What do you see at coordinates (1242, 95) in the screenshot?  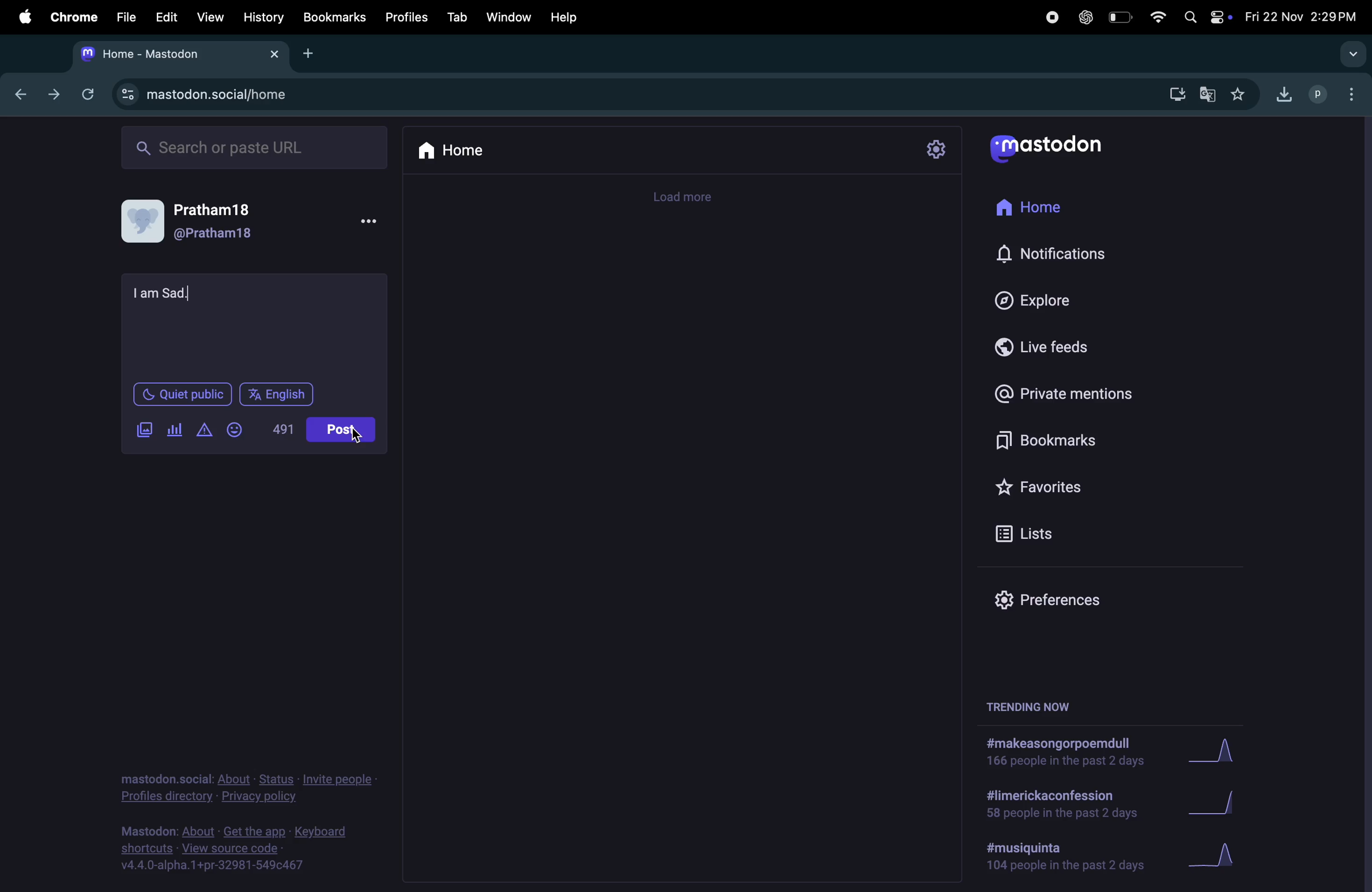 I see `favorites` at bounding box center [1242, 95].